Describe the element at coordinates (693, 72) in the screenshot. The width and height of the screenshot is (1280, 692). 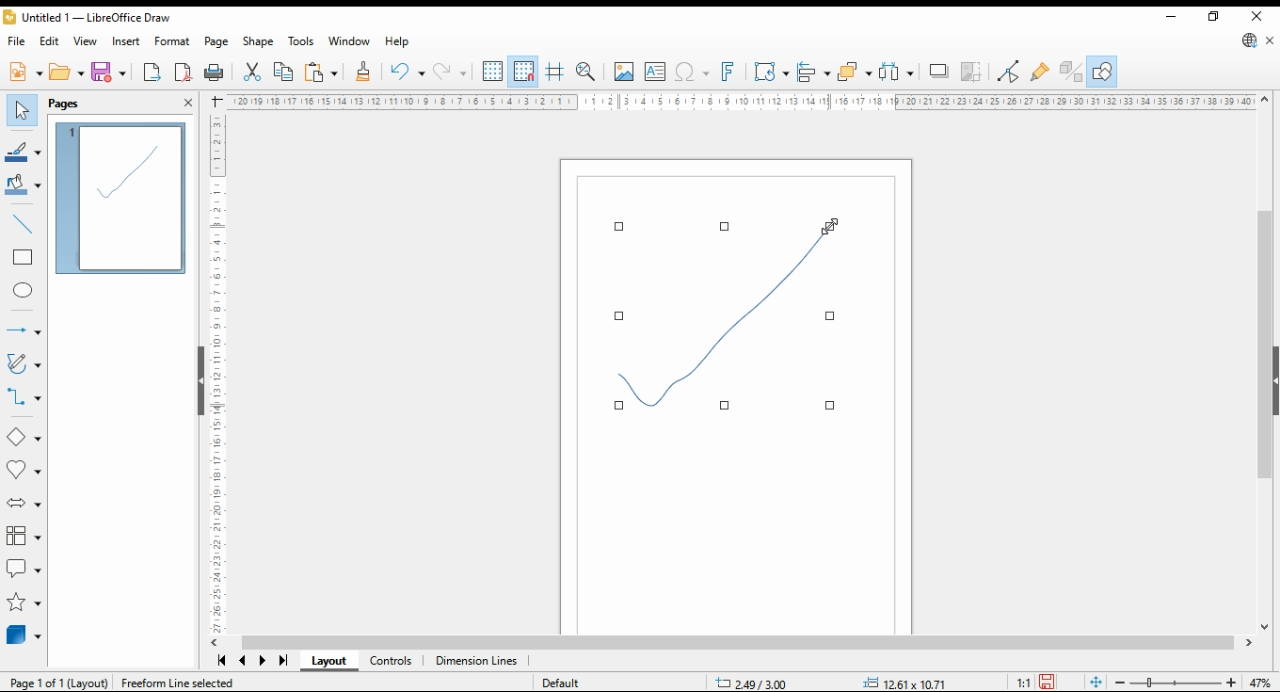
I see `insert special character` at that location.